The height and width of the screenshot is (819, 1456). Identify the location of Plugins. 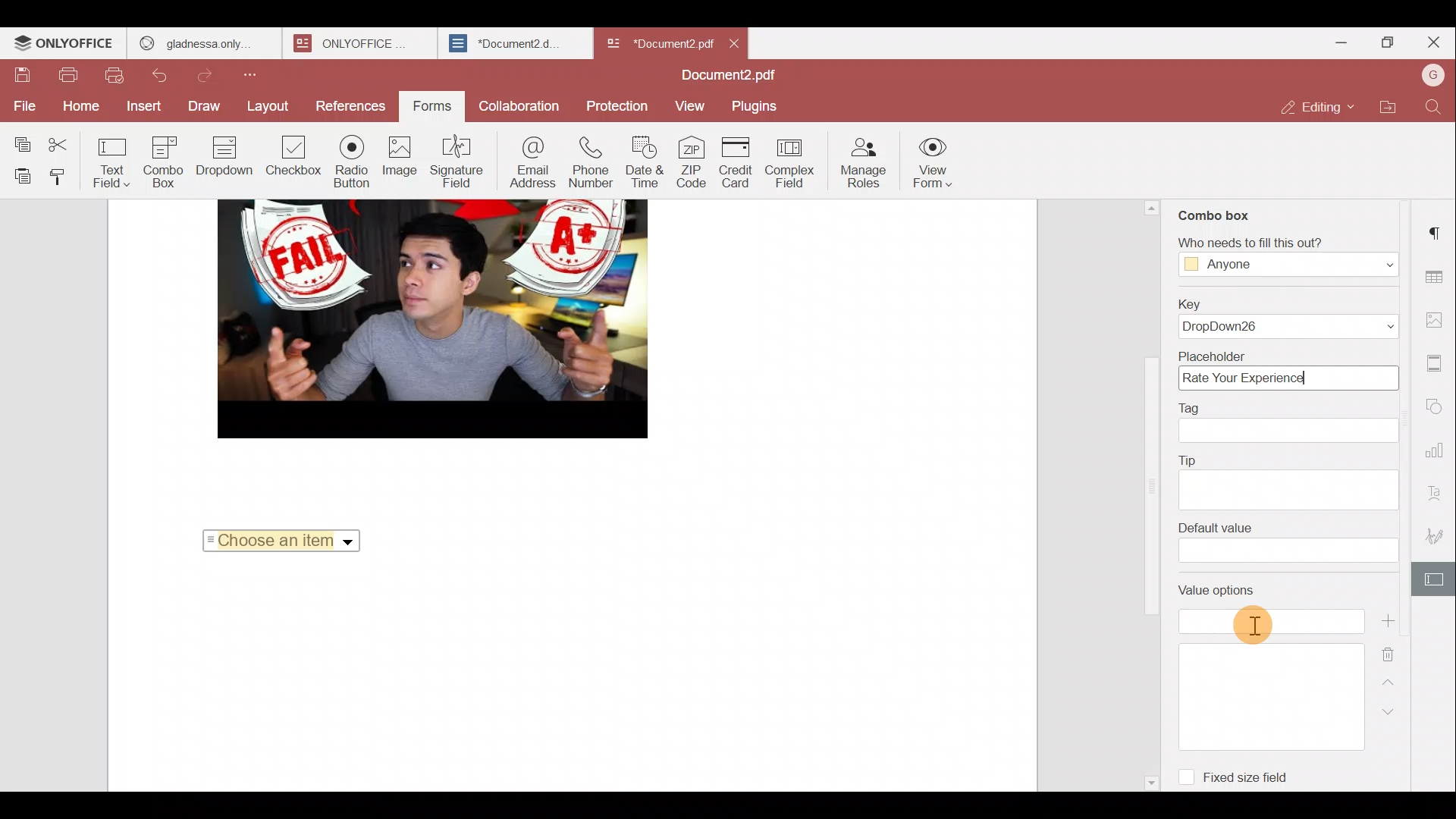
(757, 106).